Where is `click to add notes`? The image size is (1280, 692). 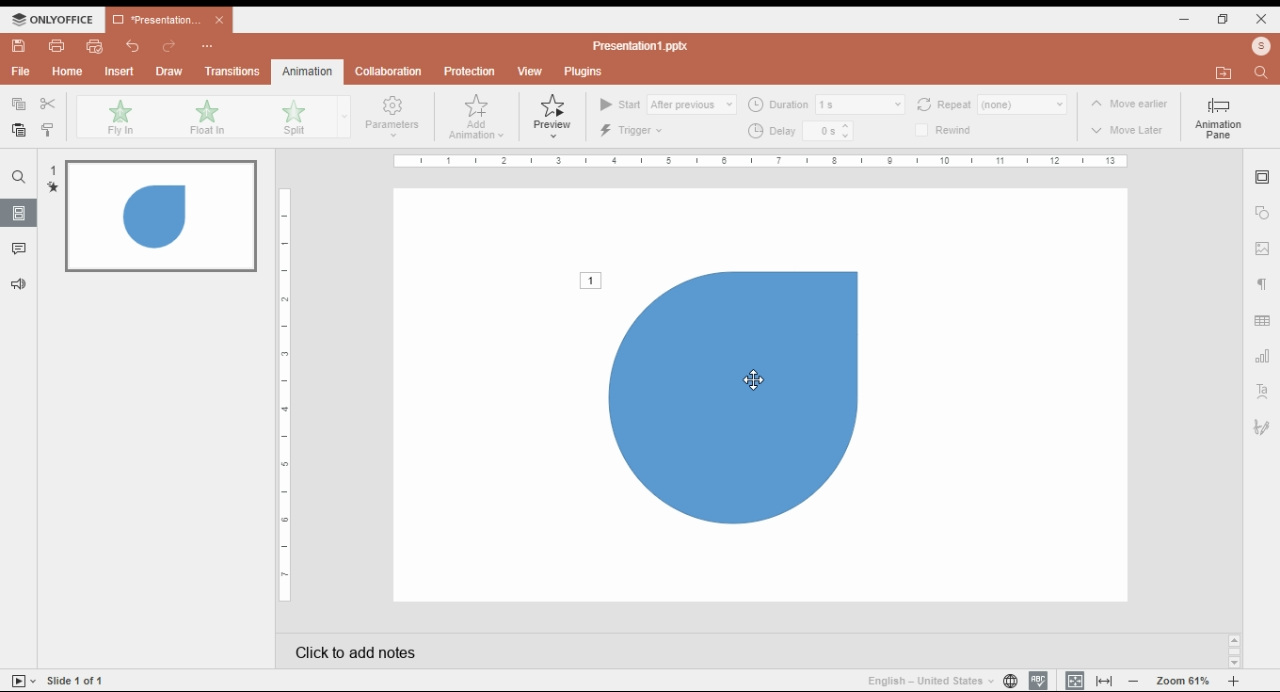
click to add notes is located at coordinates (564, 652).